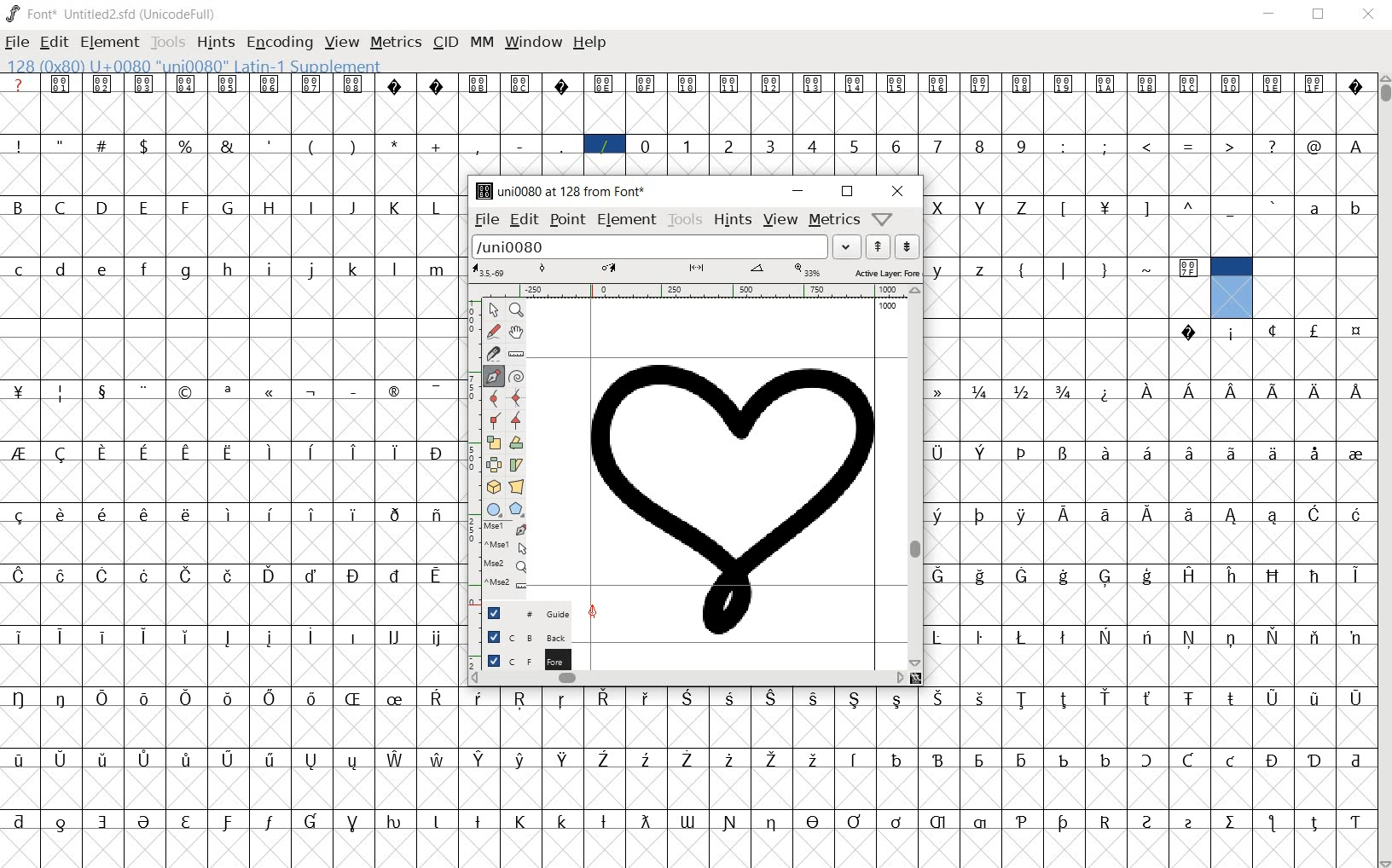 This screenshot has height=868, width=1392. Describe the element at coordinates (1232, 517) in the screenshot. I see `glyph` at that location.